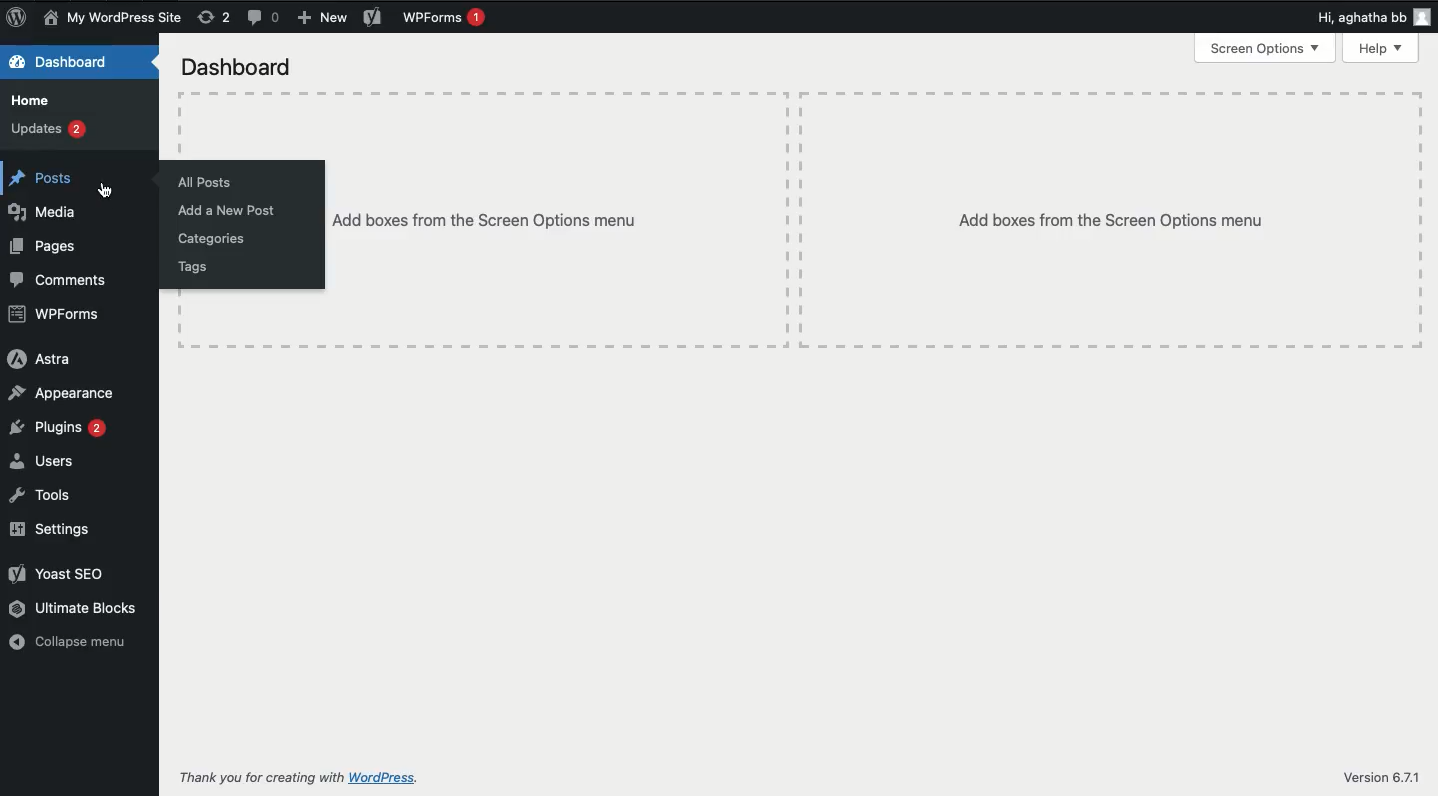 The height and width of the screenshot is (796, 1438). I want to click on Astra, so click(43, 359).